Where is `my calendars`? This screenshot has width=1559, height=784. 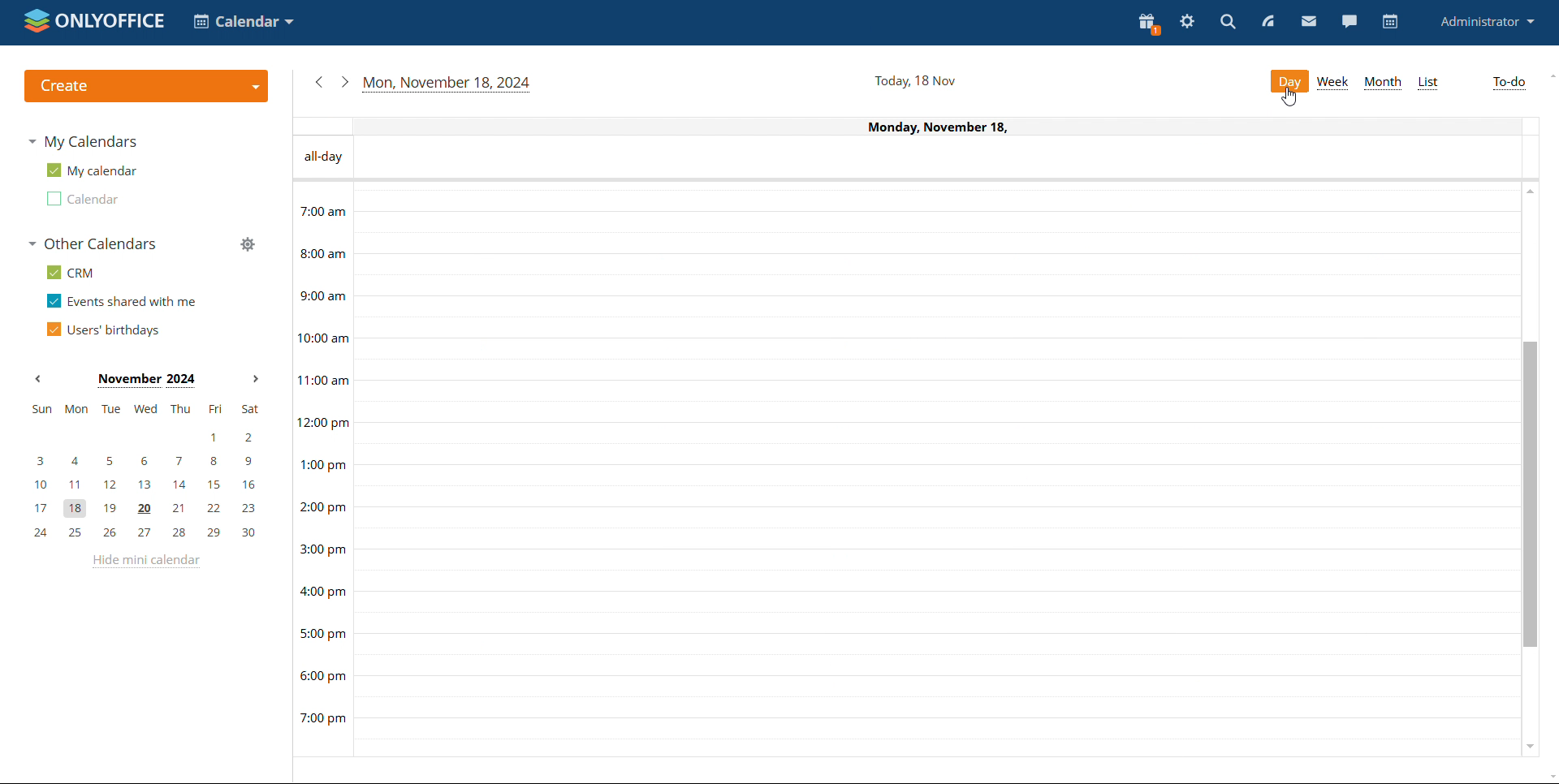
my calendars is located at coordinates (85, 141).